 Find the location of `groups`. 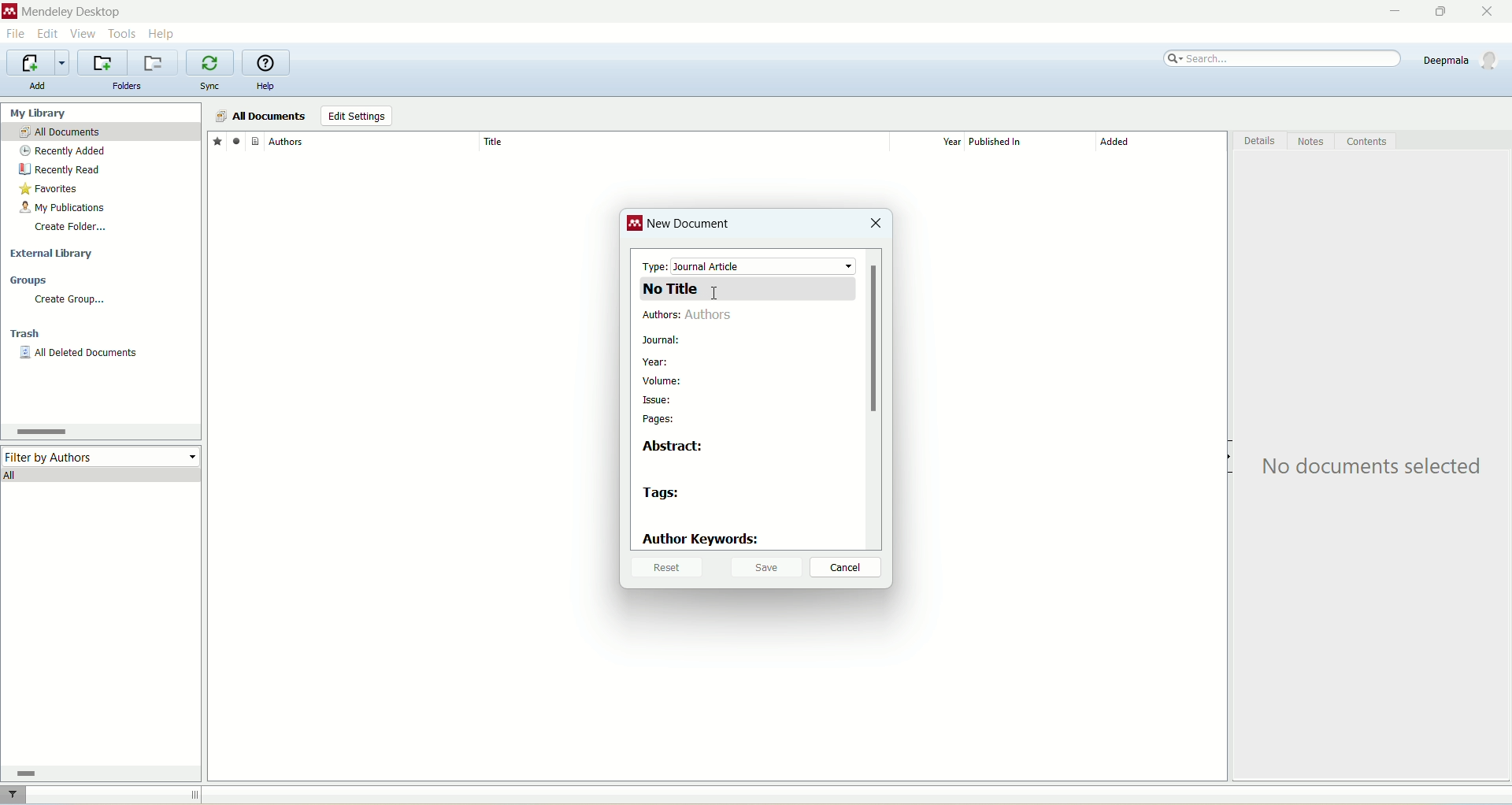

groups is located at coordinates (30, 281).